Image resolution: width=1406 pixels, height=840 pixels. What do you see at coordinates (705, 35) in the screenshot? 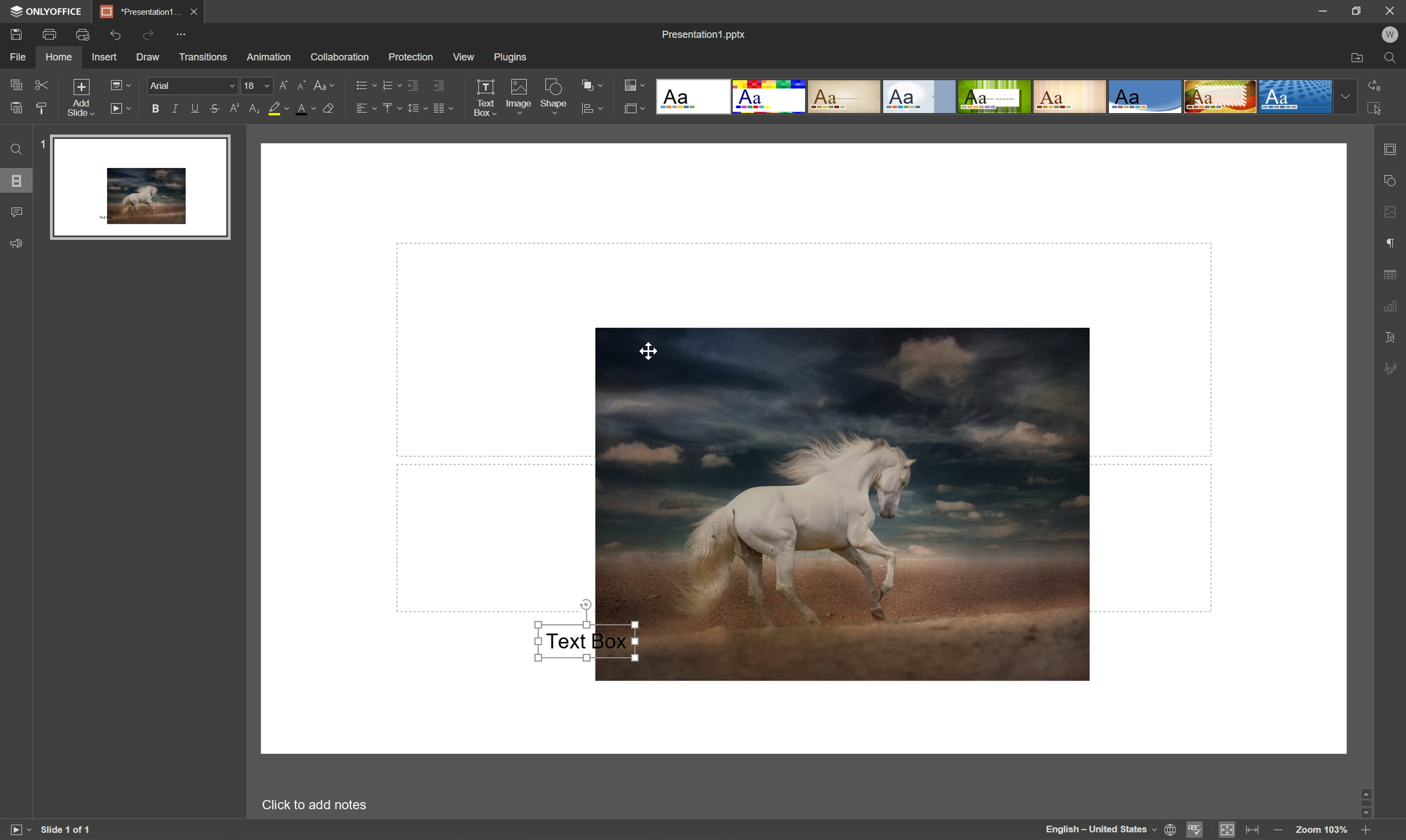
I see `Presentation1.pptx` at bounding box center [705, 35].